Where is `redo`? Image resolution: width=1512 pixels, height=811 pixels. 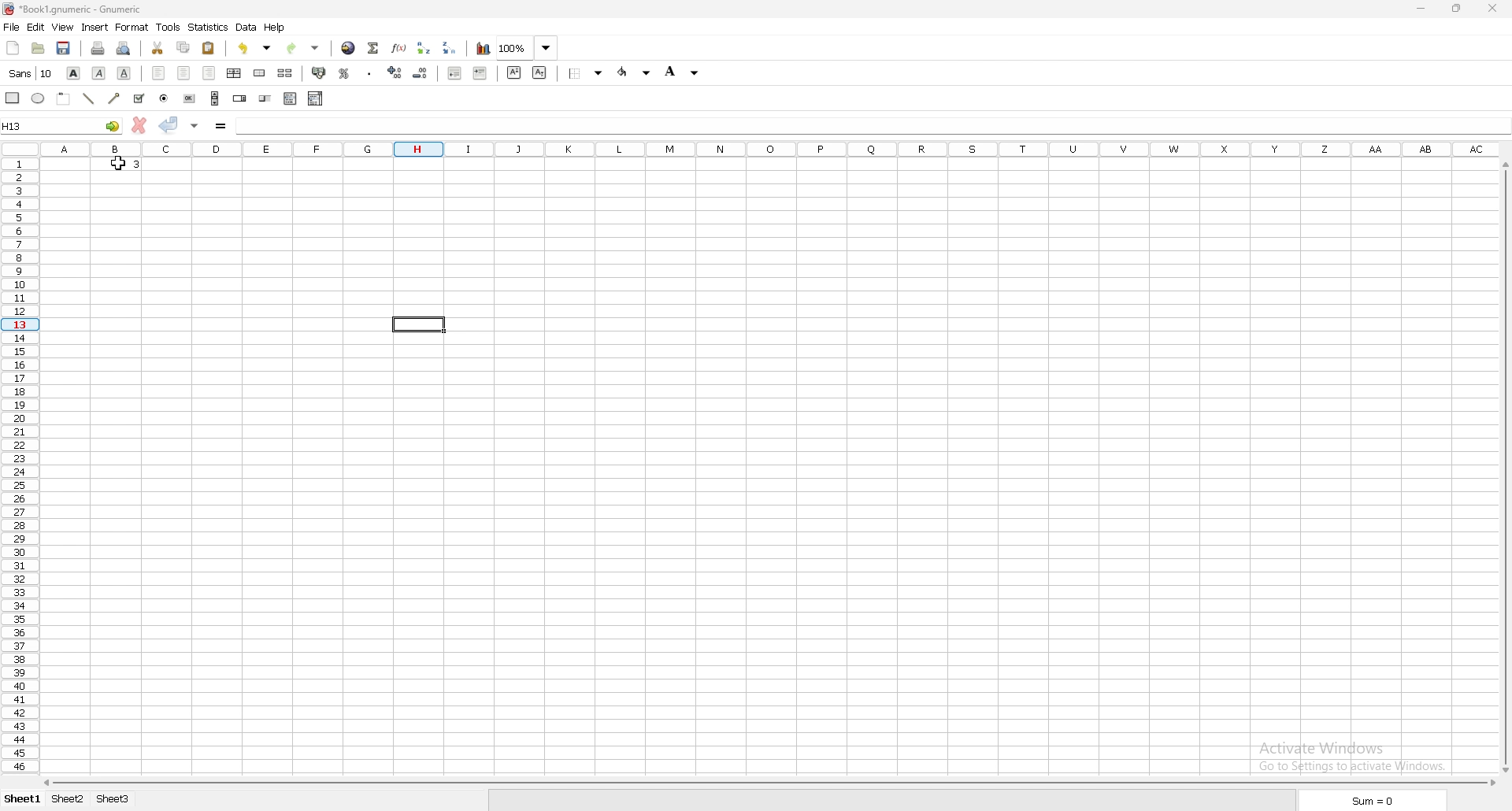
redo is located at coordinates (303, 48).